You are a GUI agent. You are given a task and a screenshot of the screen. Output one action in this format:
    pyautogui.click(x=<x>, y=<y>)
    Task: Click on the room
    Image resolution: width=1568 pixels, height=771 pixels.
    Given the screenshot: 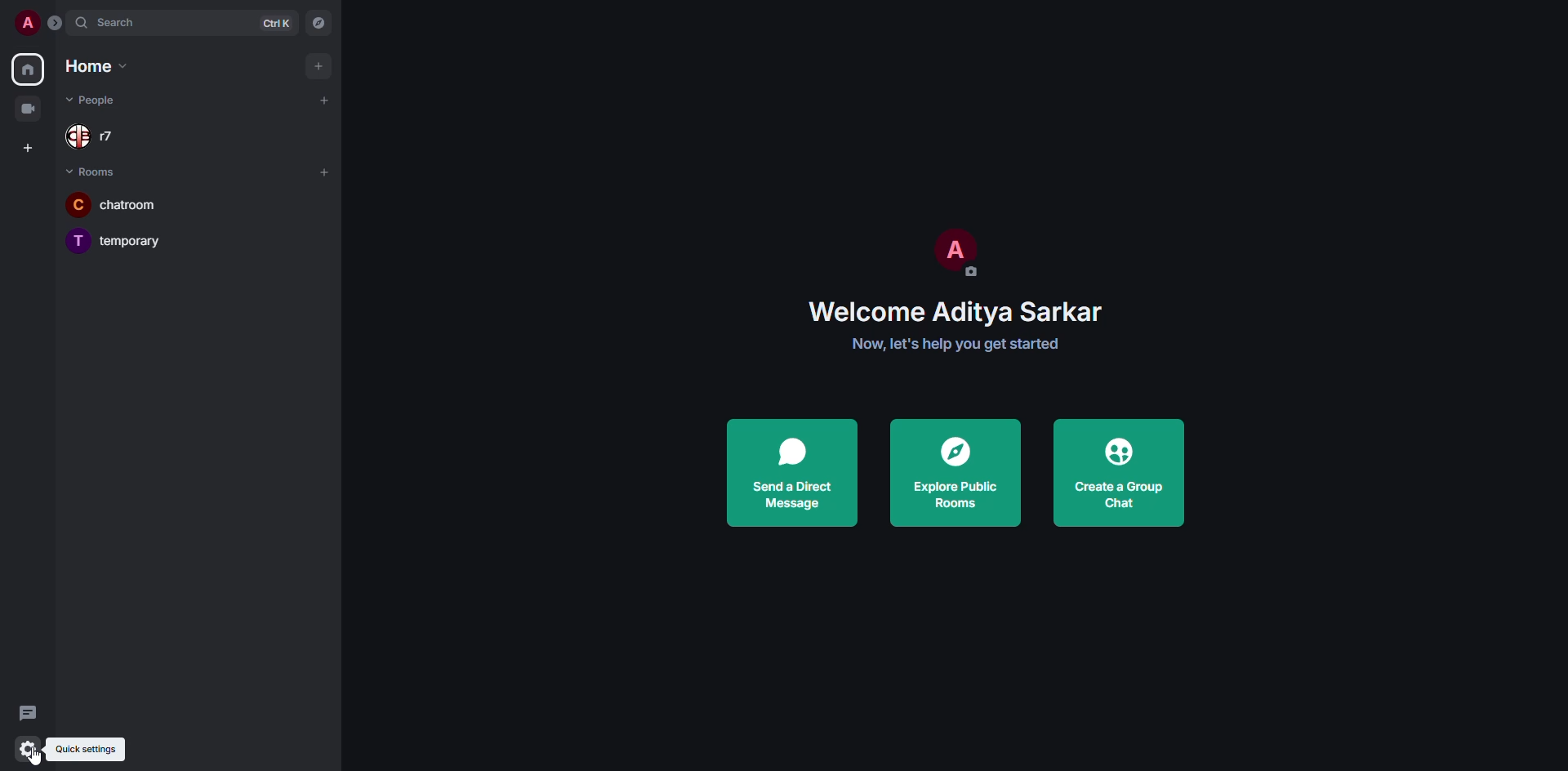 What is the action you would take?
    pyautogui.click(x=111, y=207)
    